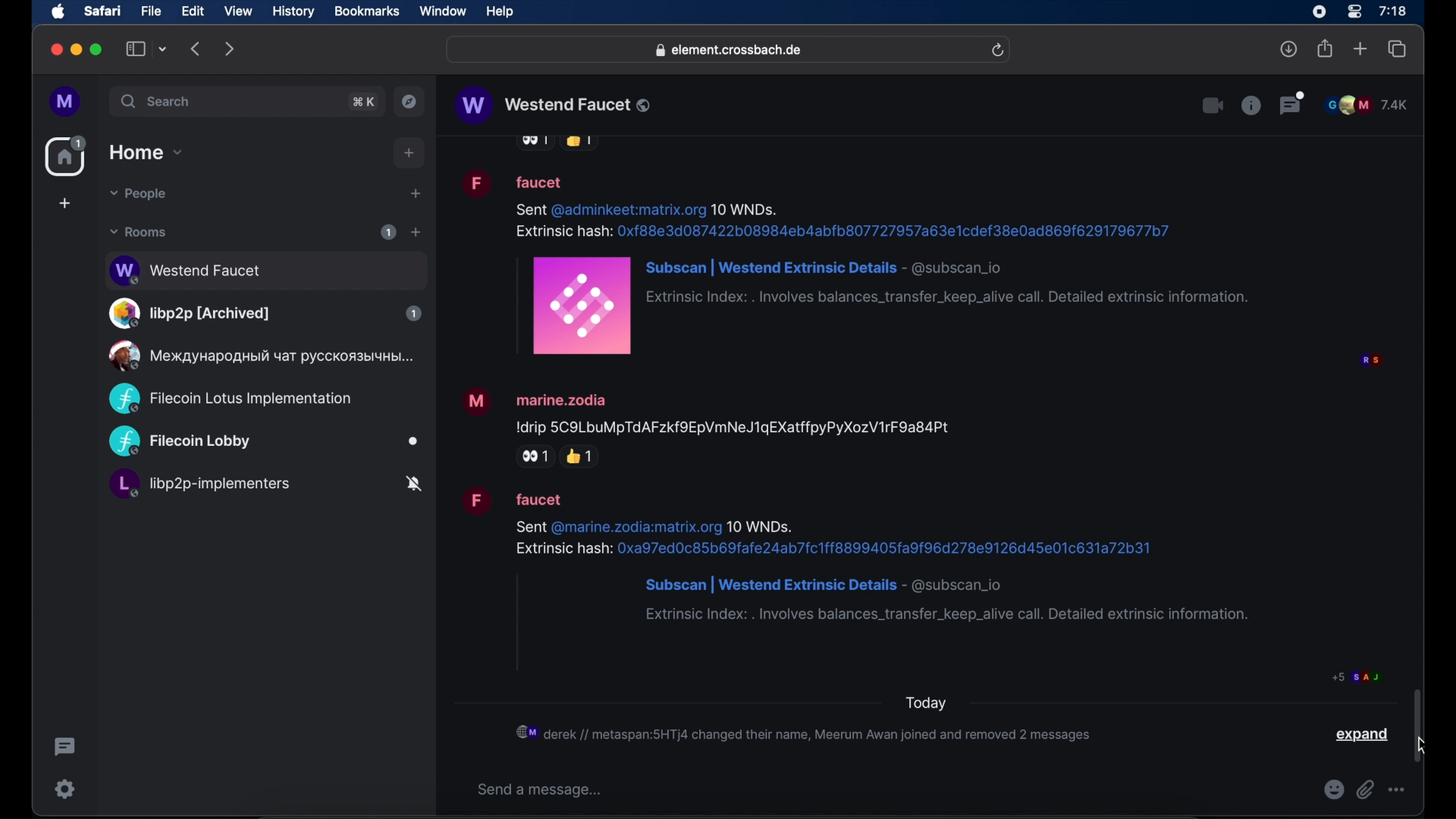  I want to click on public room, so click(265, 268).